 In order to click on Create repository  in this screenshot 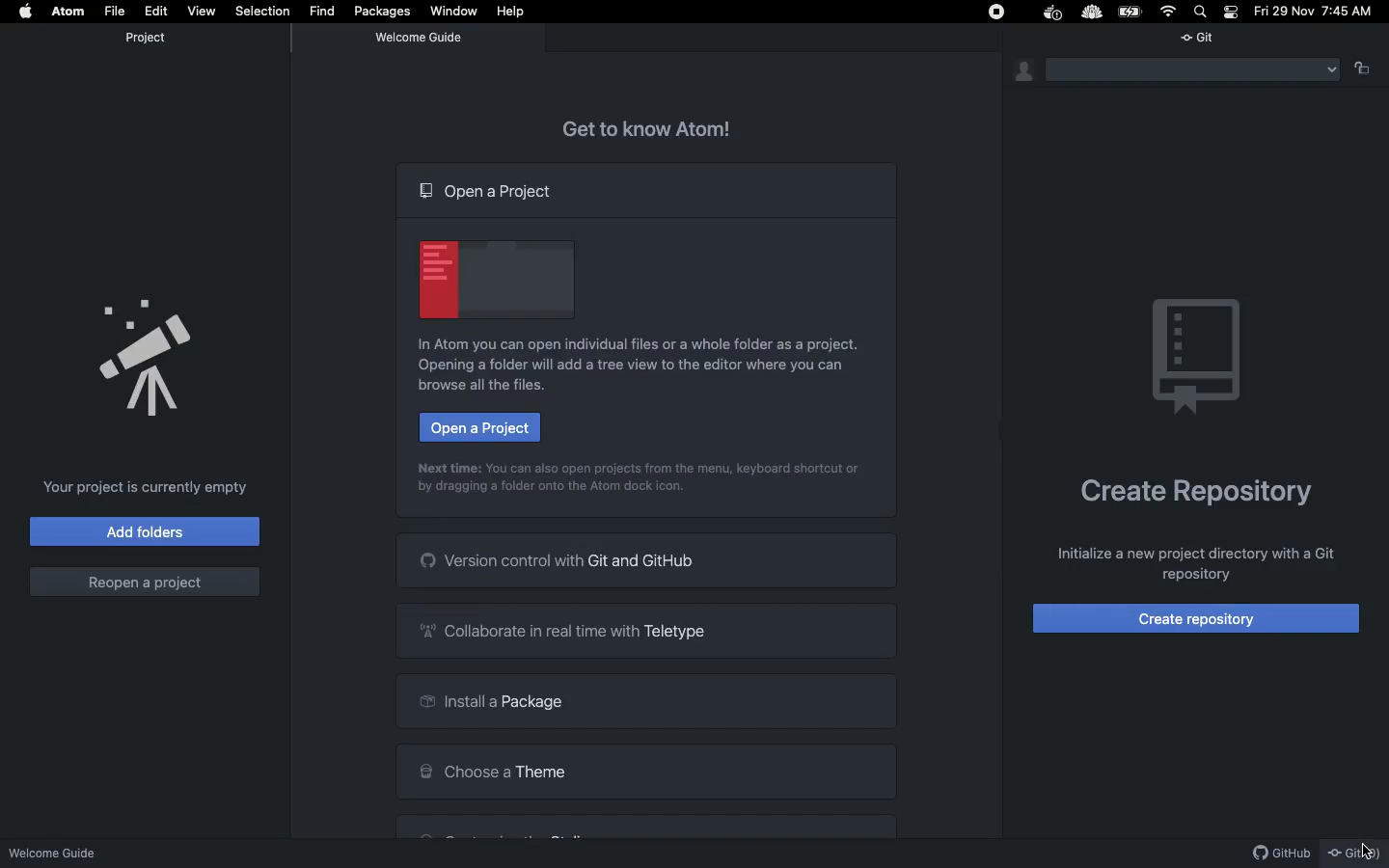, I will do `click(1191, 492)`.